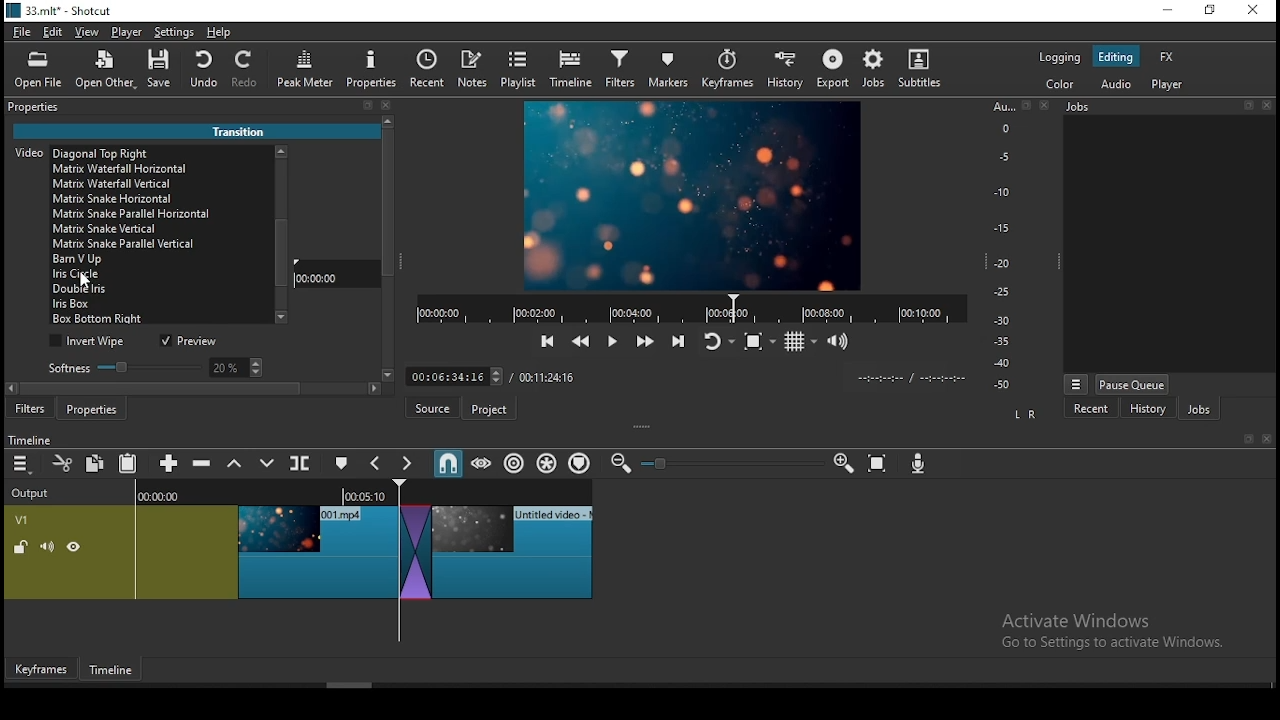  What do you see at coordinates (670, 72) in the screenshot?
I see `markers` at bounding box center [670, 72].